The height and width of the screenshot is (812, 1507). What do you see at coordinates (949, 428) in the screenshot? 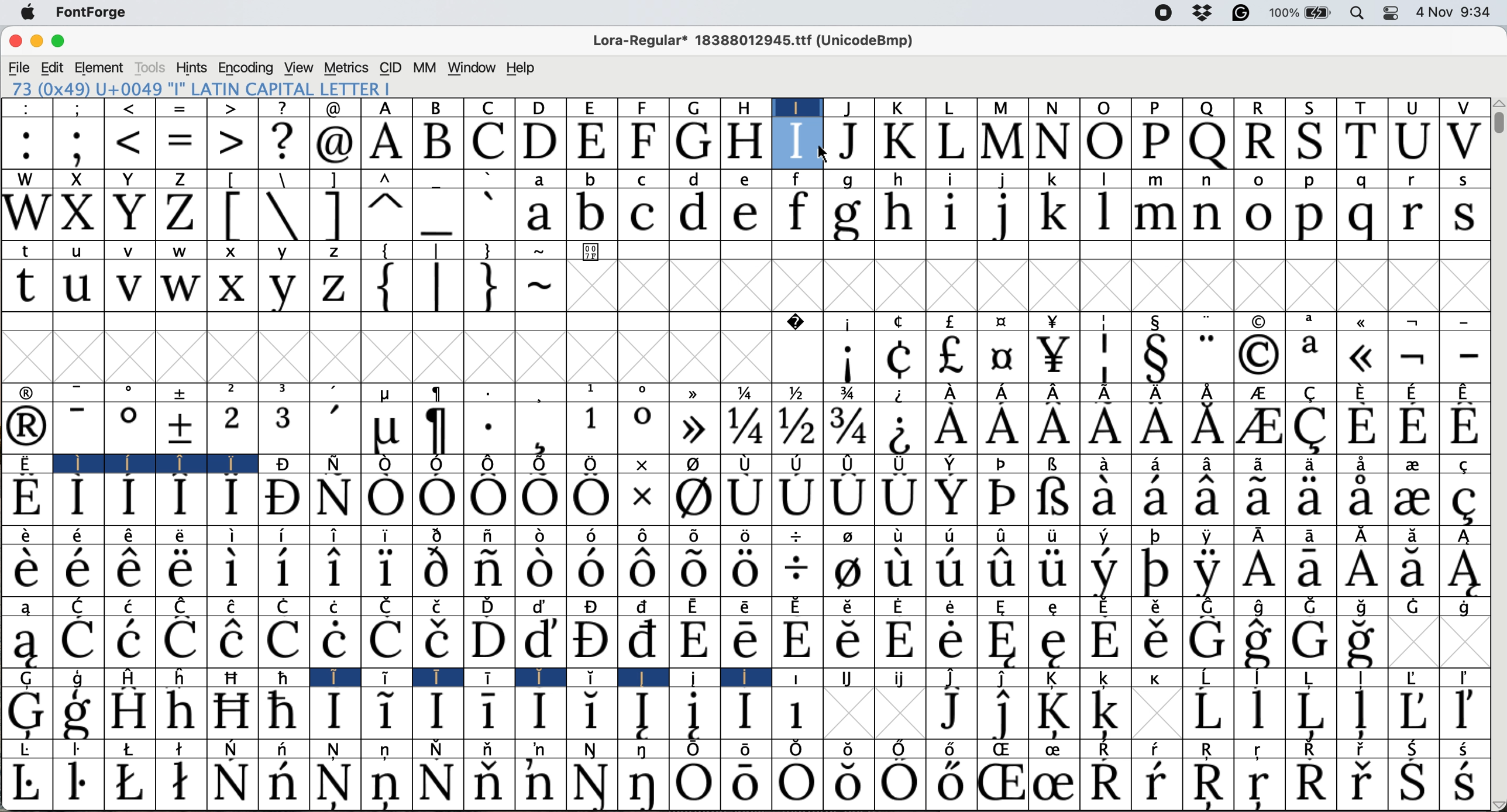
I see `Symbol` at bounding box center [949, 428].